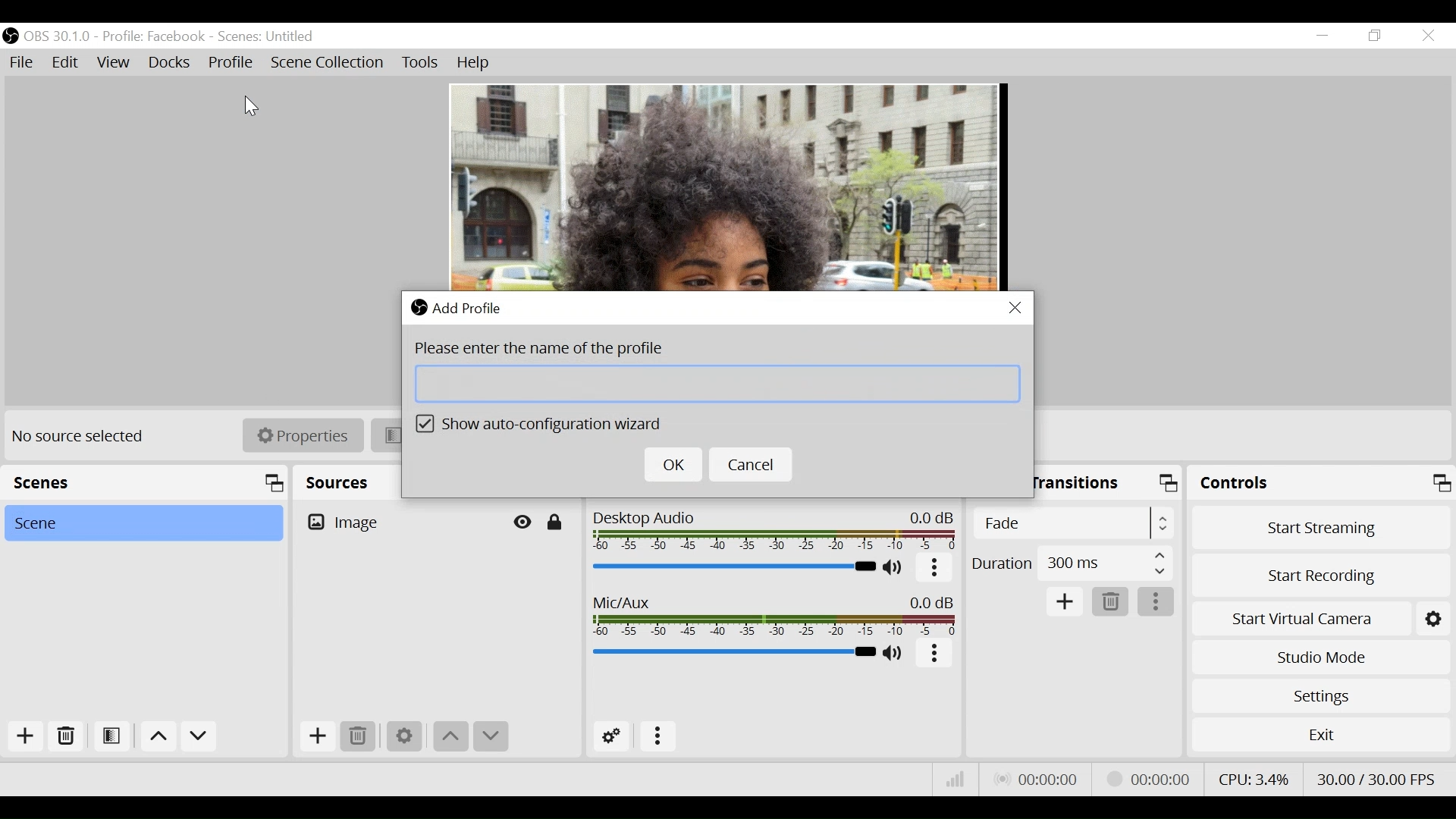 The width and height of the screenshot is (1456, 819). I want to click on Studio Mode, so click(1318, 659).